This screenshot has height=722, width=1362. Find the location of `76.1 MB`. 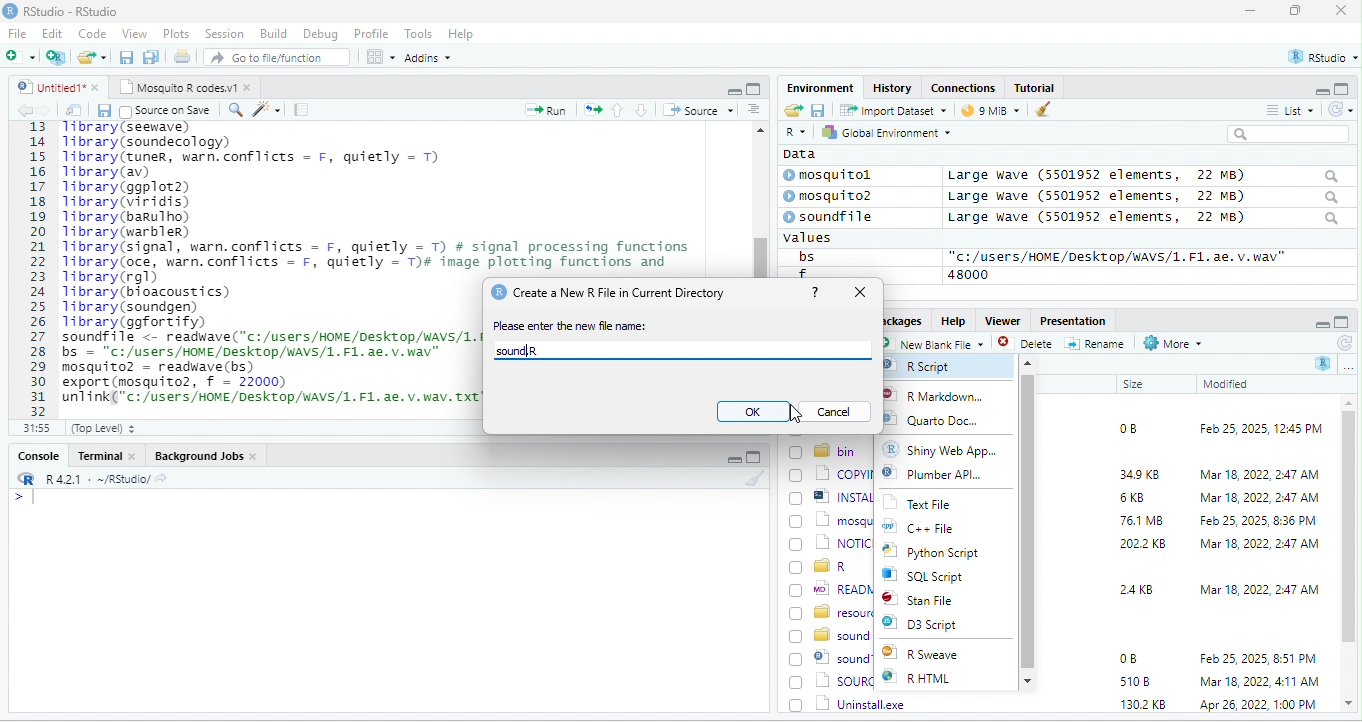

76.1 MB is located at coordinates (1141, 519).